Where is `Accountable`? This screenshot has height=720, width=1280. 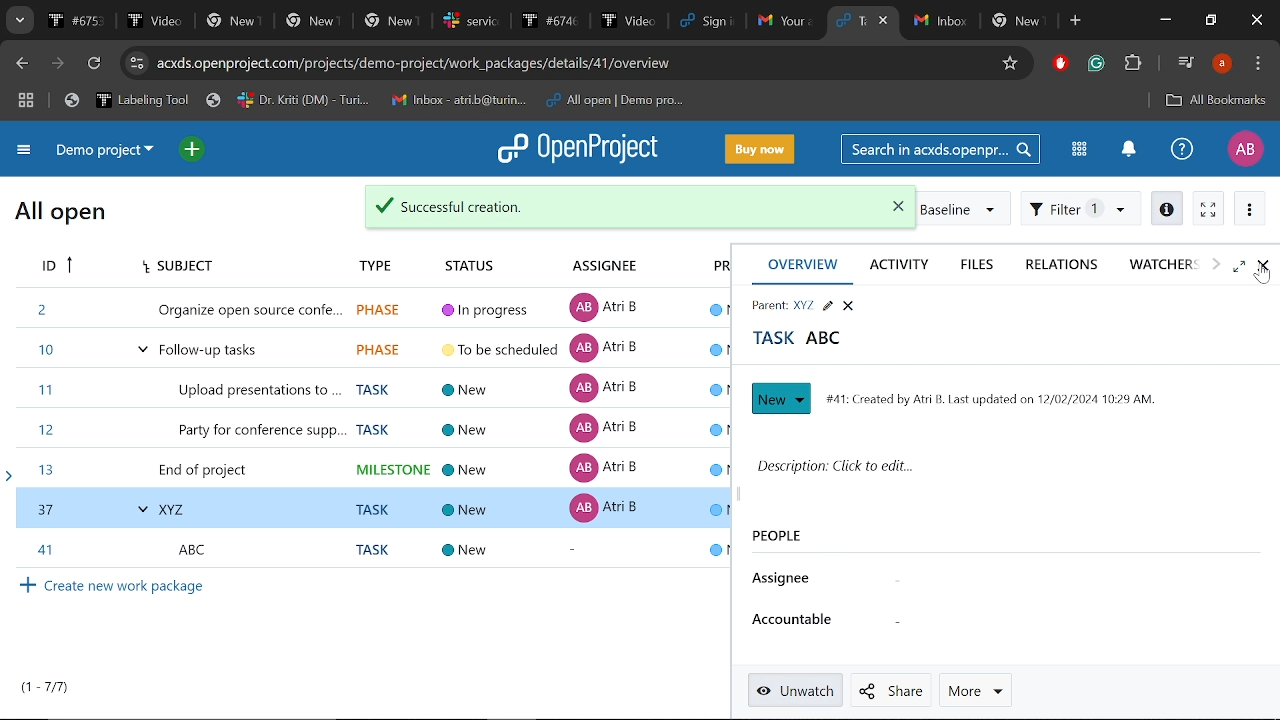 Accountable is located at coordinates (798, 624).